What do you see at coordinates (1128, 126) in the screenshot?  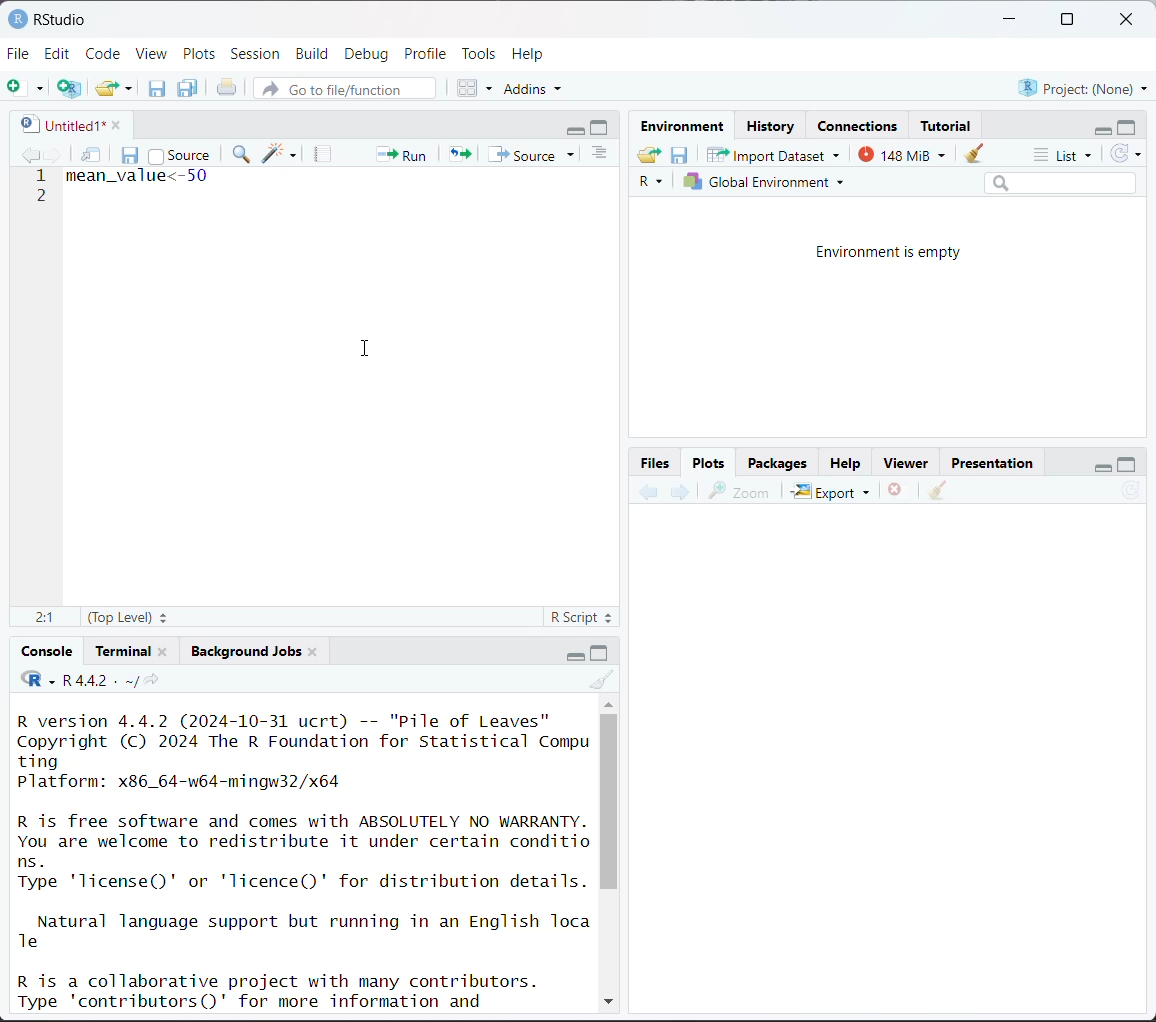 I see `maximize` at bounding box center [1128, 126].